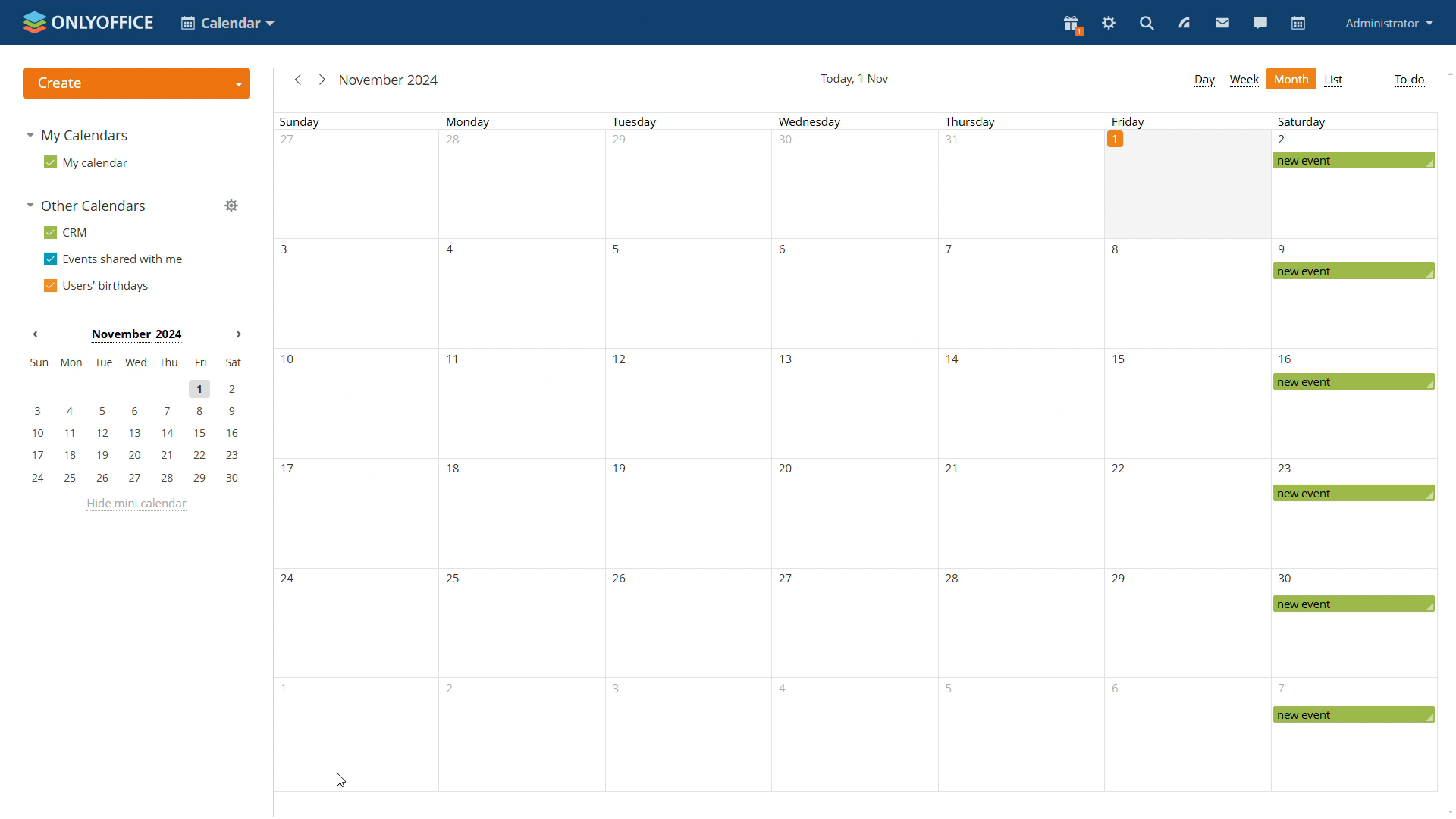 This screenshot has height=819, width=1456. Describe the element at coordinates (355, 450) in the screenshot. I see `Sunday ` at that location.